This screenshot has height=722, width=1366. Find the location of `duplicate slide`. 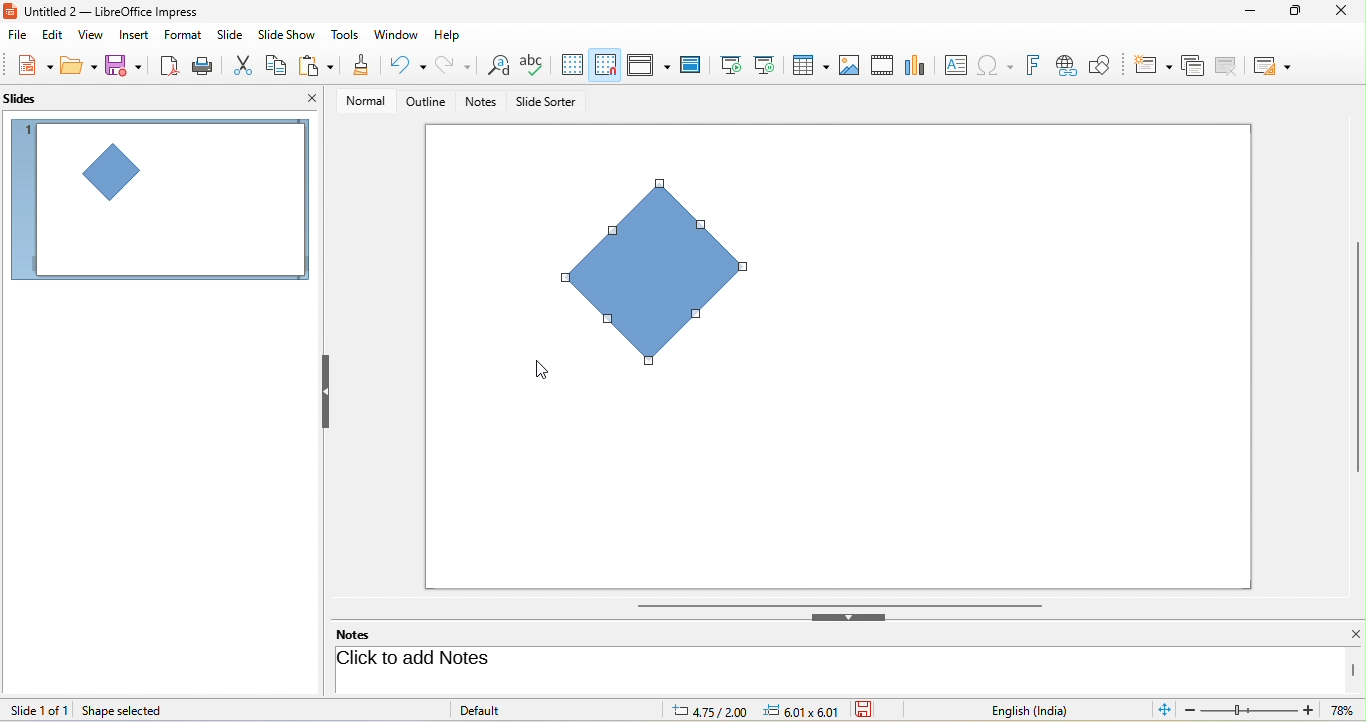

duplicate slide is located at coordinates (1192, 64).